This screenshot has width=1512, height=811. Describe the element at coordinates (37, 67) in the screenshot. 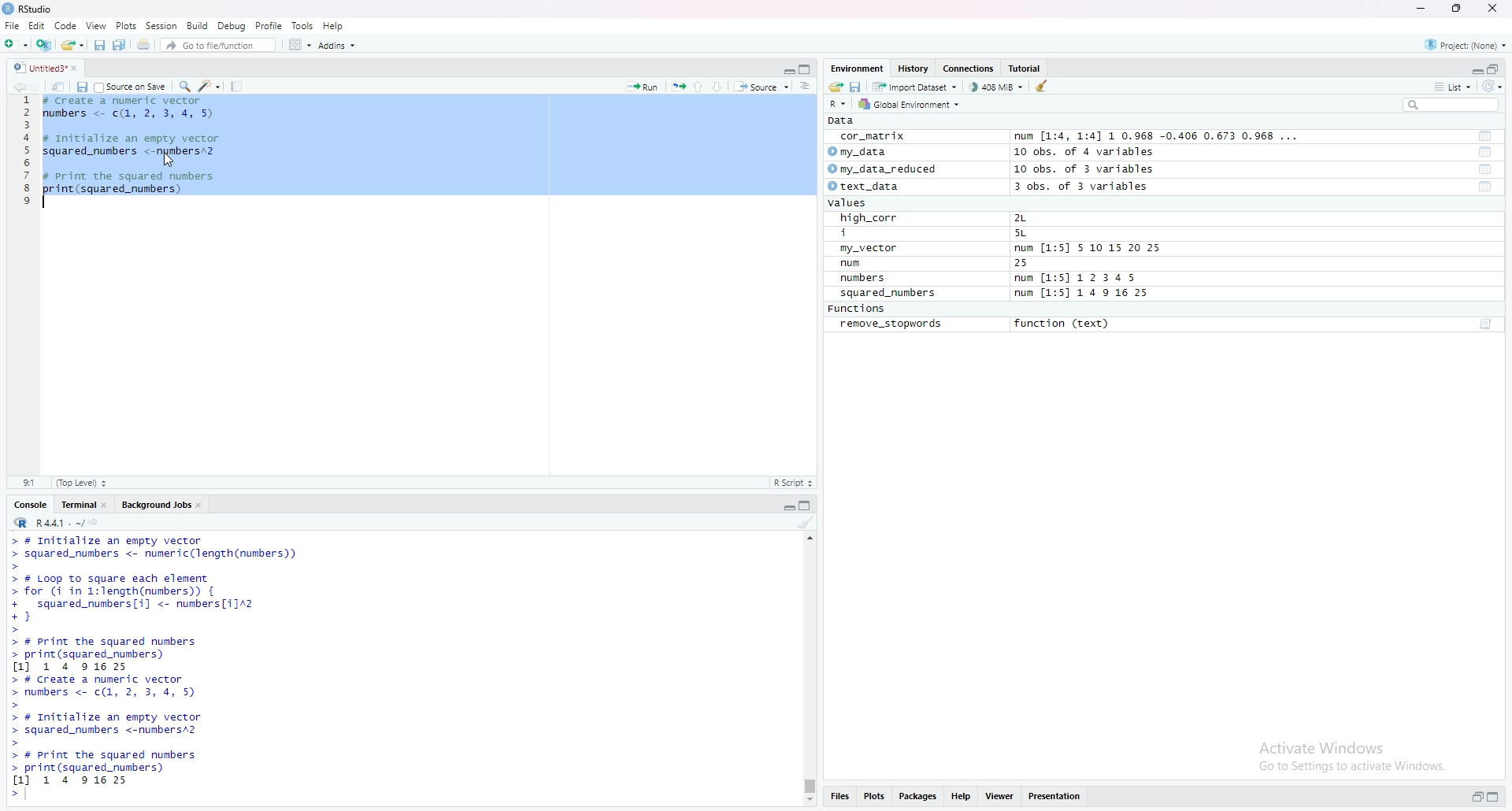

I see `unititled3*` at that location.